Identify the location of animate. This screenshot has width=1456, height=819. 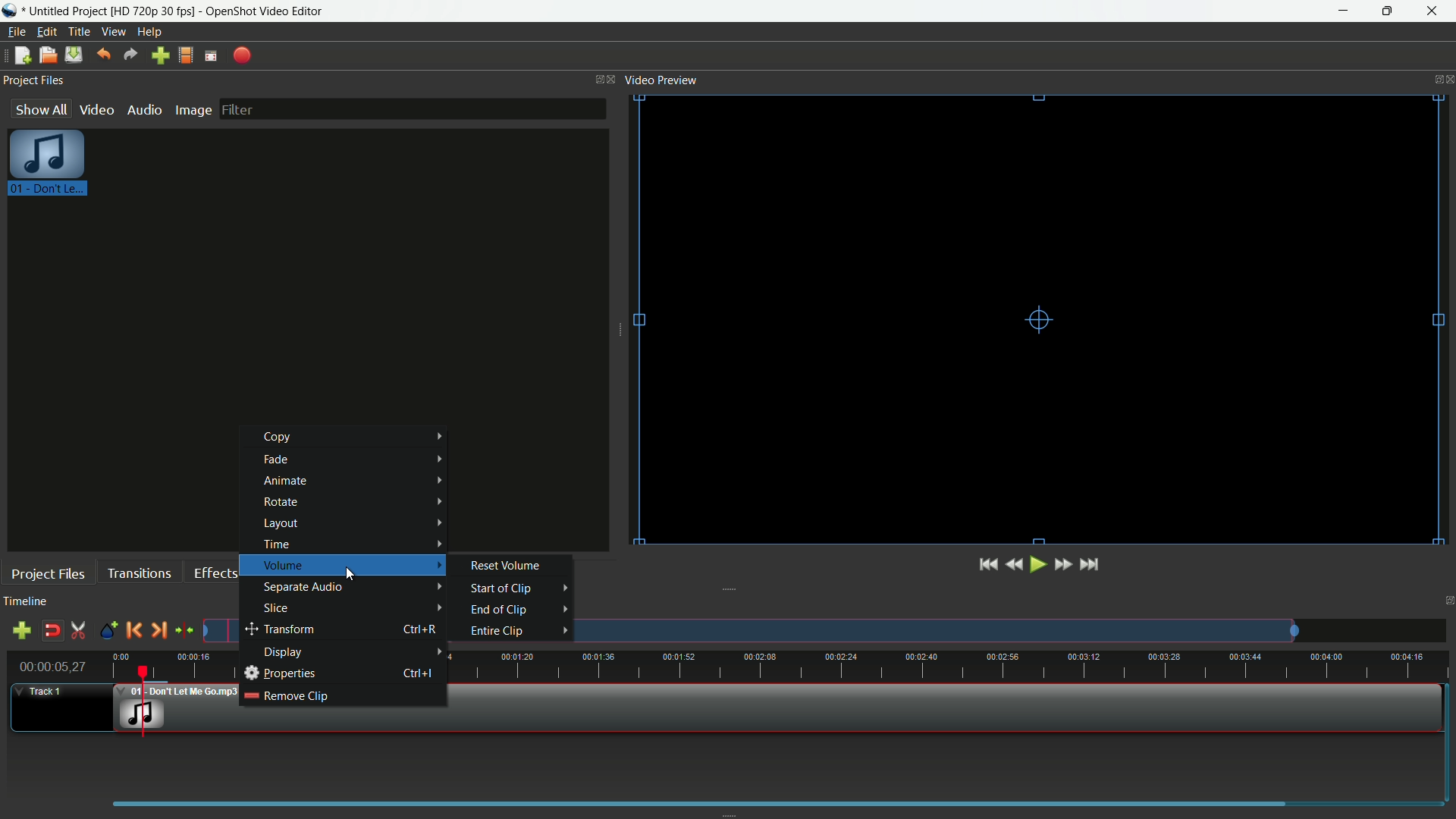
(354, 481).